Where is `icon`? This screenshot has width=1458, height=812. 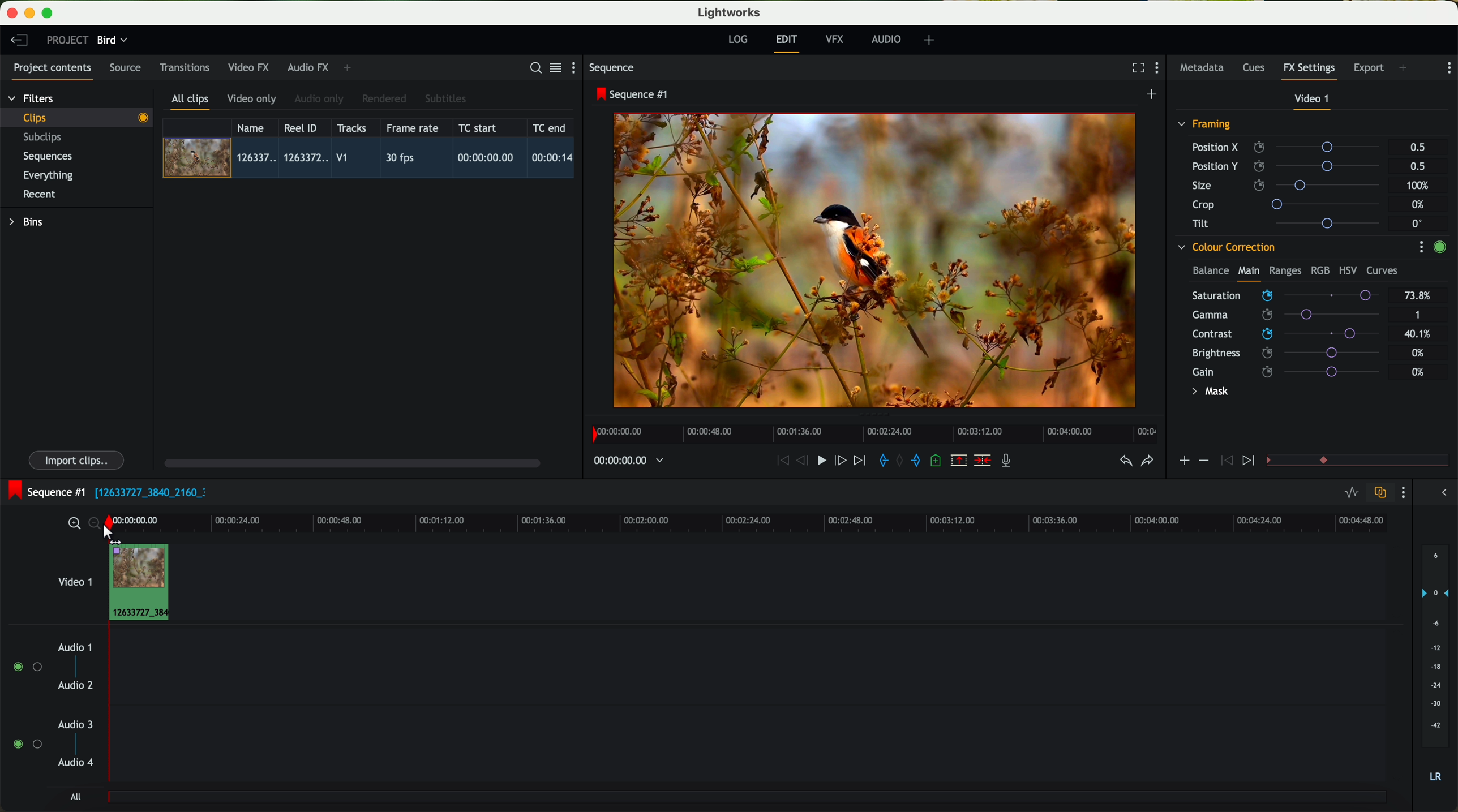
icon is located at coordinates (1203, 461).